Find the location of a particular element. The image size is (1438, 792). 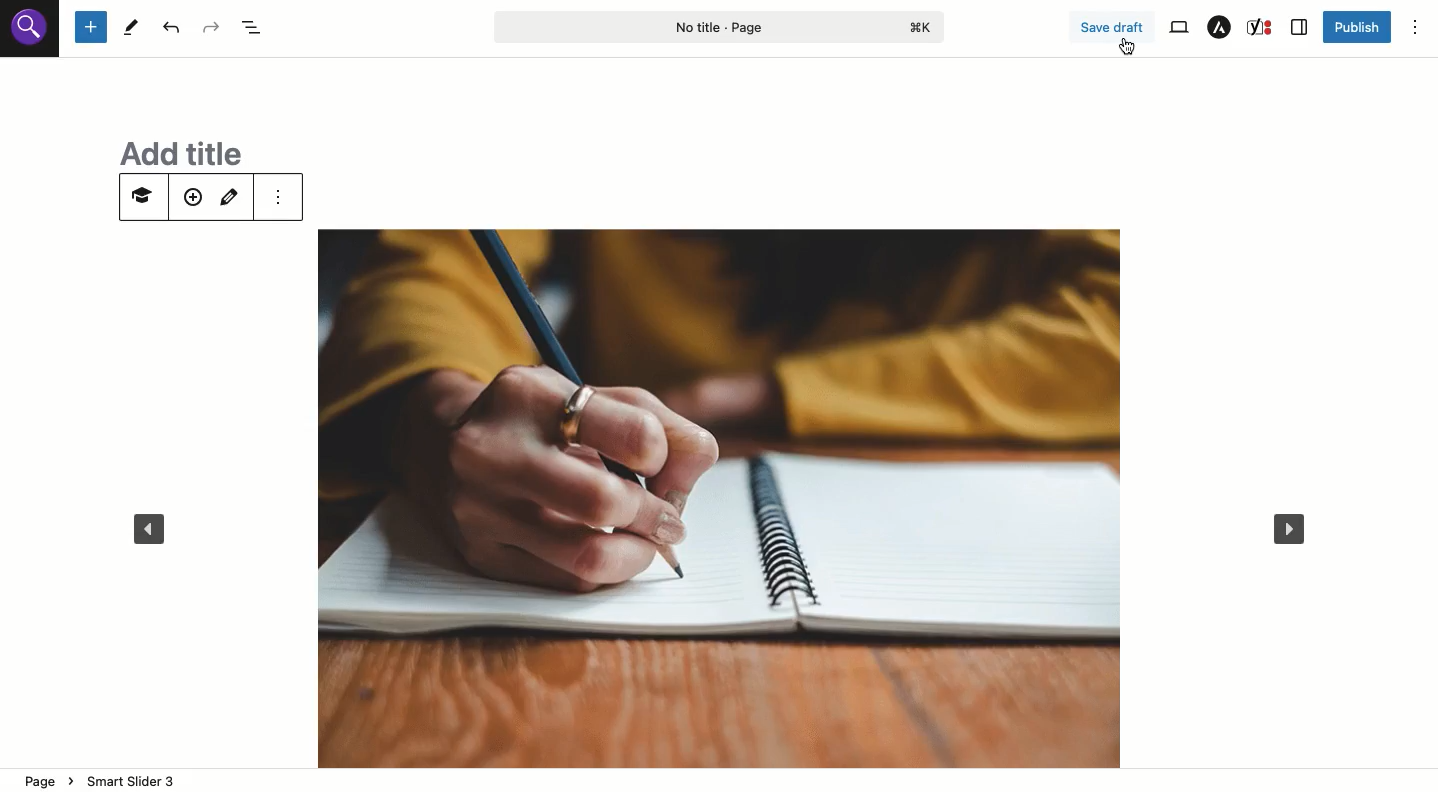

Tools is located at coordinates (132, 27).